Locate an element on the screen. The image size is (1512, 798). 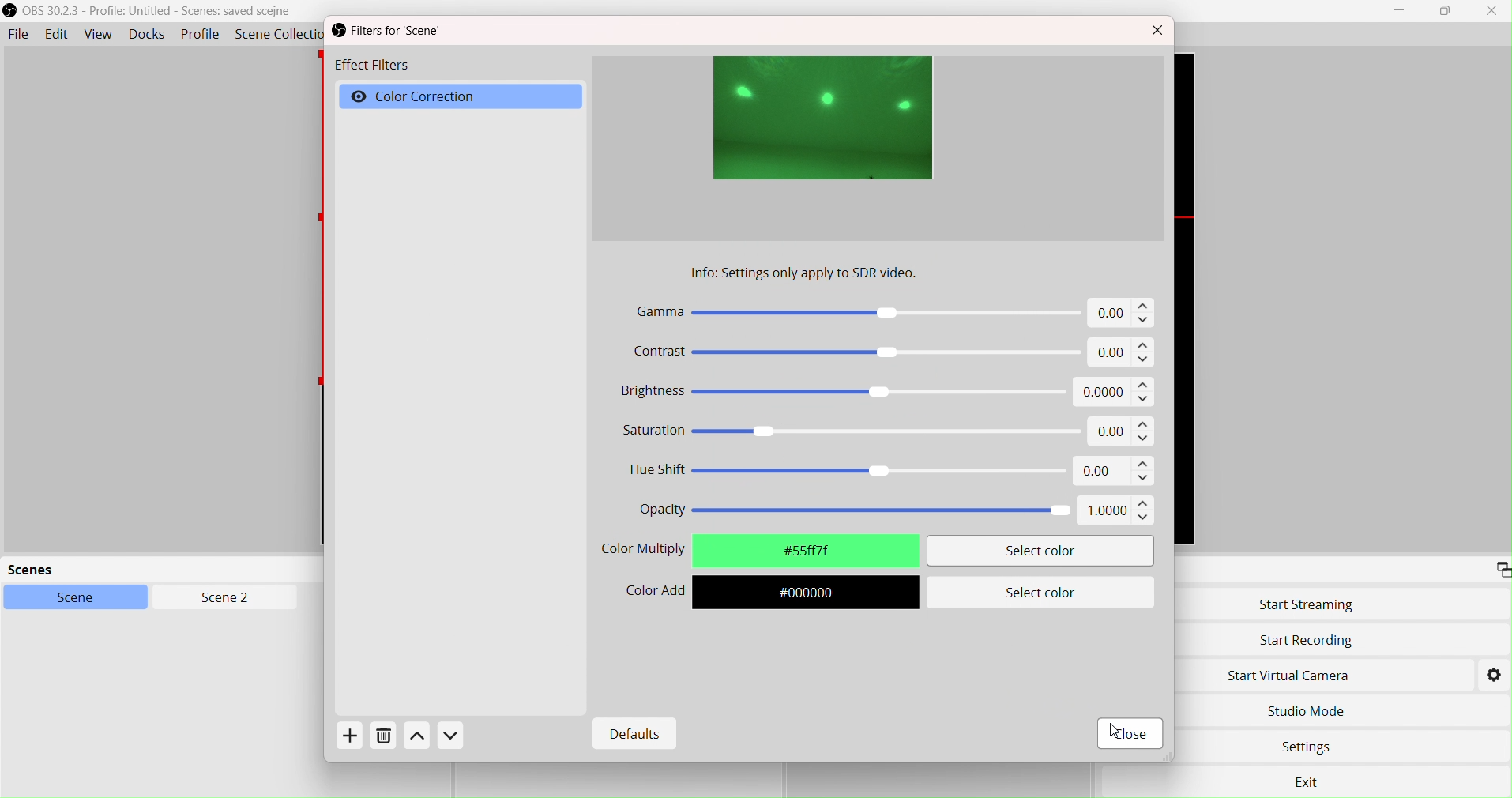
Start Recording is located at coordinates (1307, 641).